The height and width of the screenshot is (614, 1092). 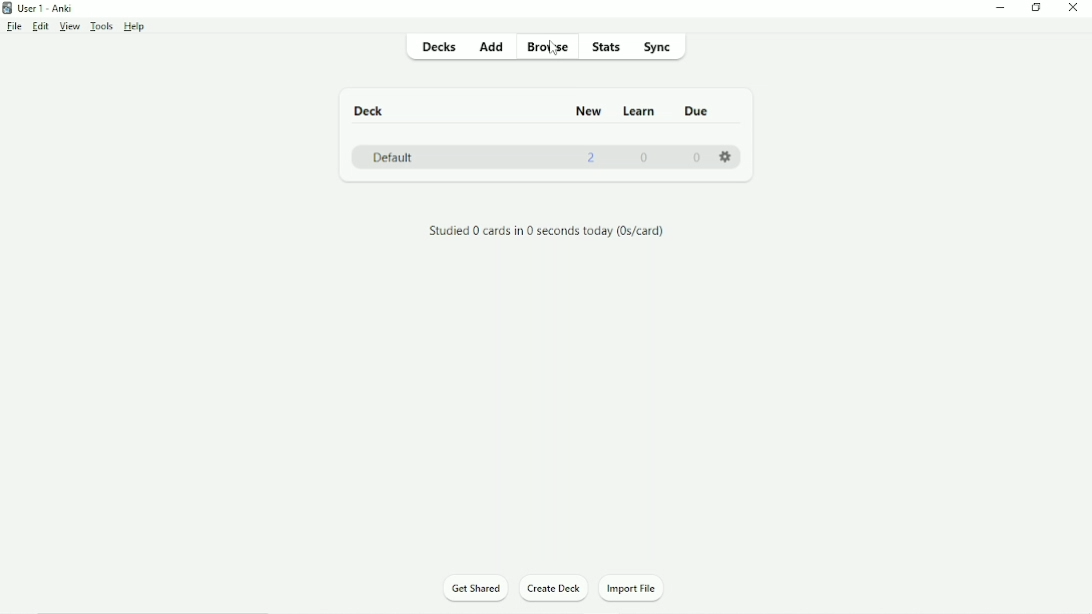 I want to click on 0, so click(x=695, y=159).